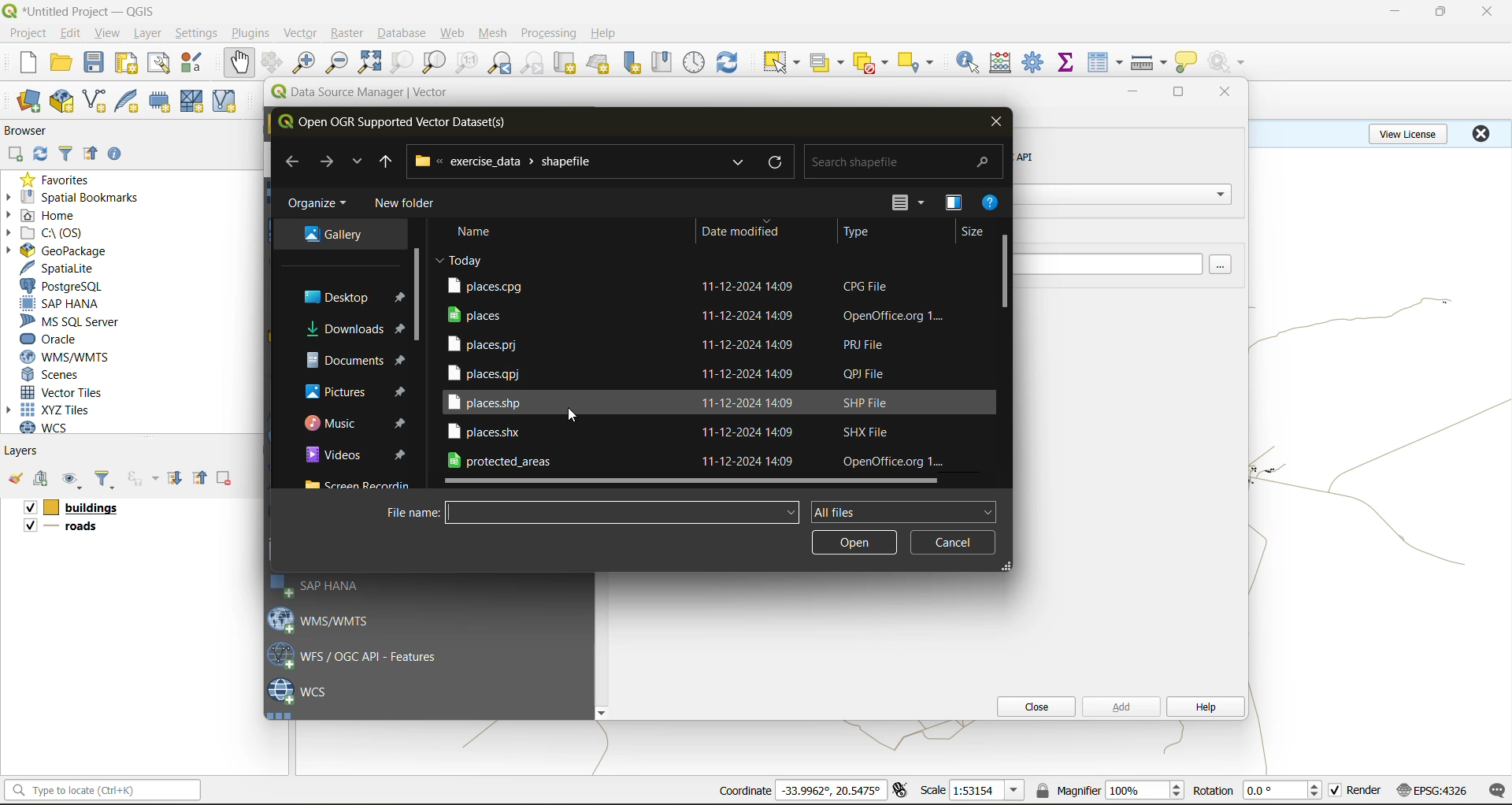 The width and height of the screenshot is (1512, 805). Describe the element at coordinates (1180, 95) in the screenshot. I see `maximize` at that location.